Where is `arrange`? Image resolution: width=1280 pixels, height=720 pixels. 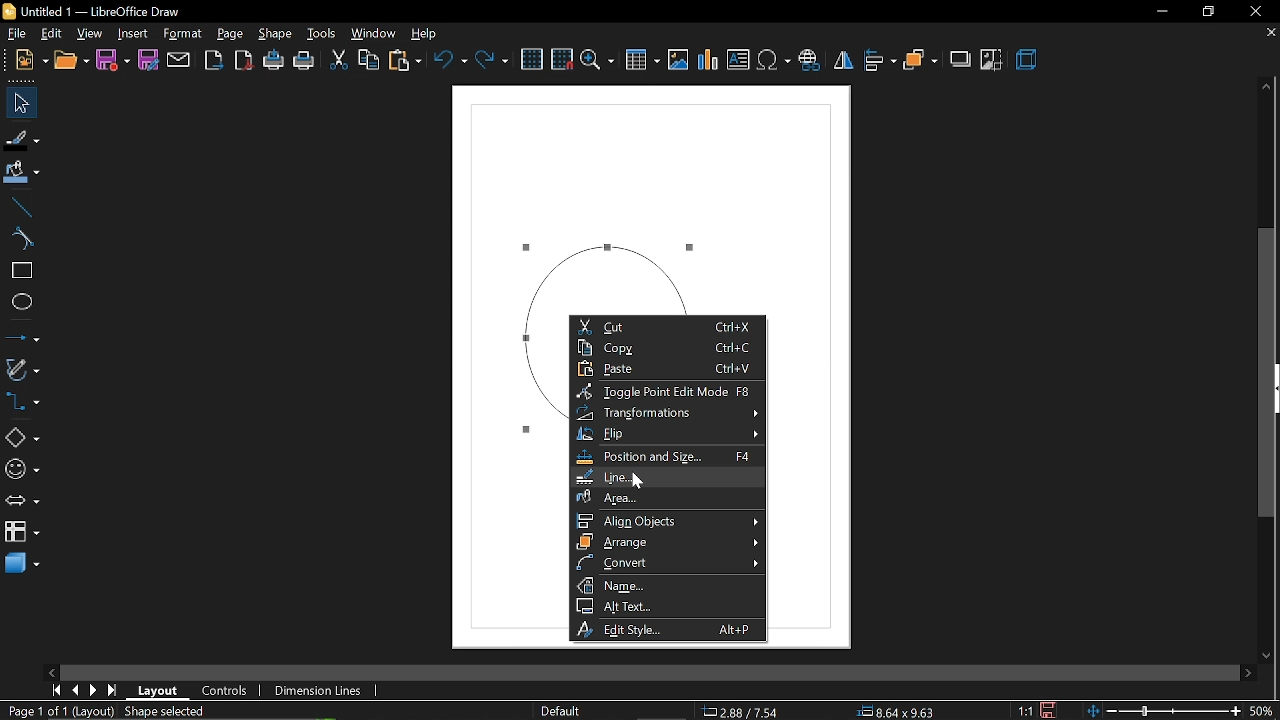 arrange is located at coordinates (670, 542).